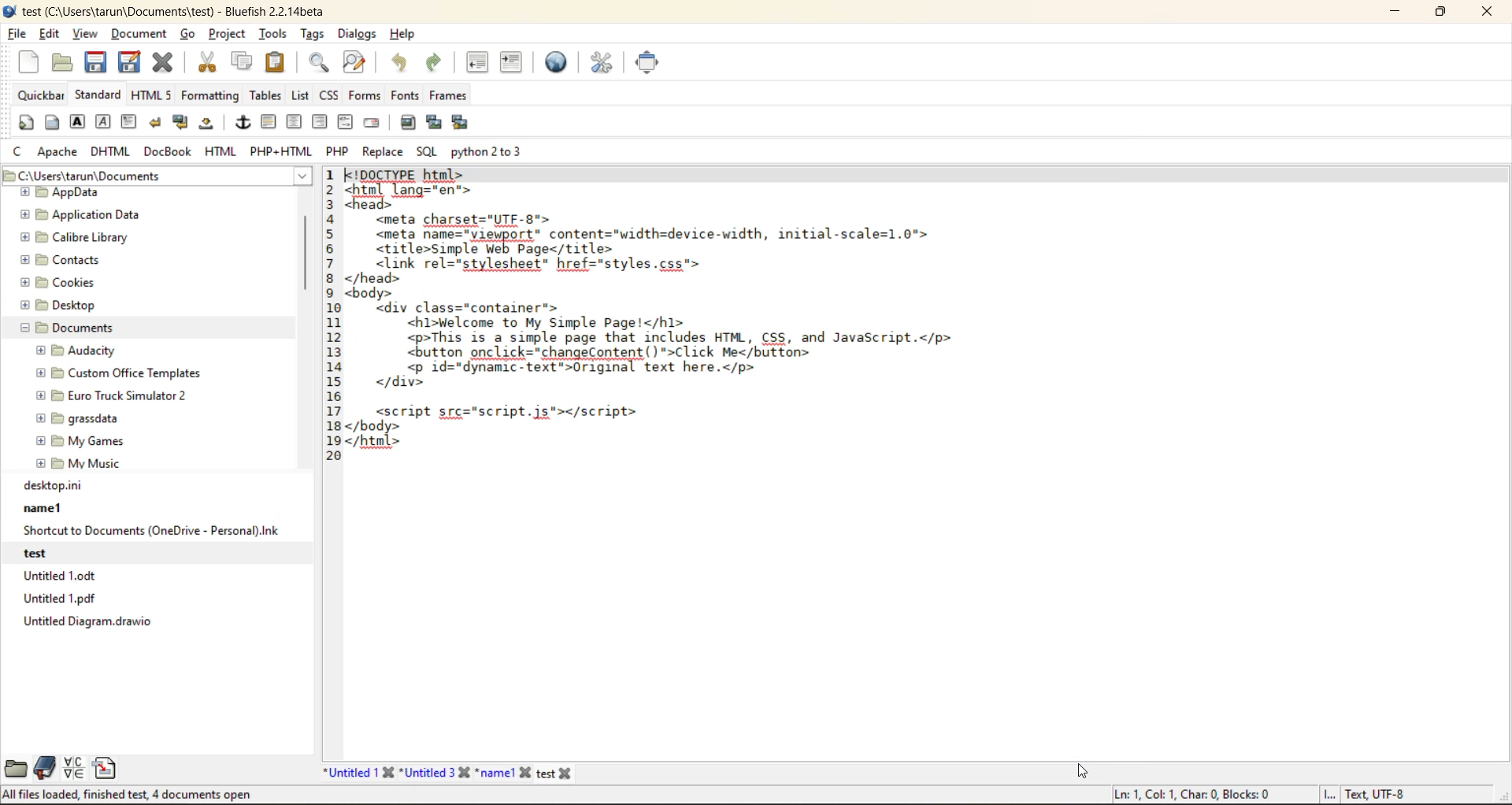 This screenshot has width=1512, height=805. What do you see at coordinates (139, 38) in the screenshot?
I see `document` at bounding box center [139, 38].